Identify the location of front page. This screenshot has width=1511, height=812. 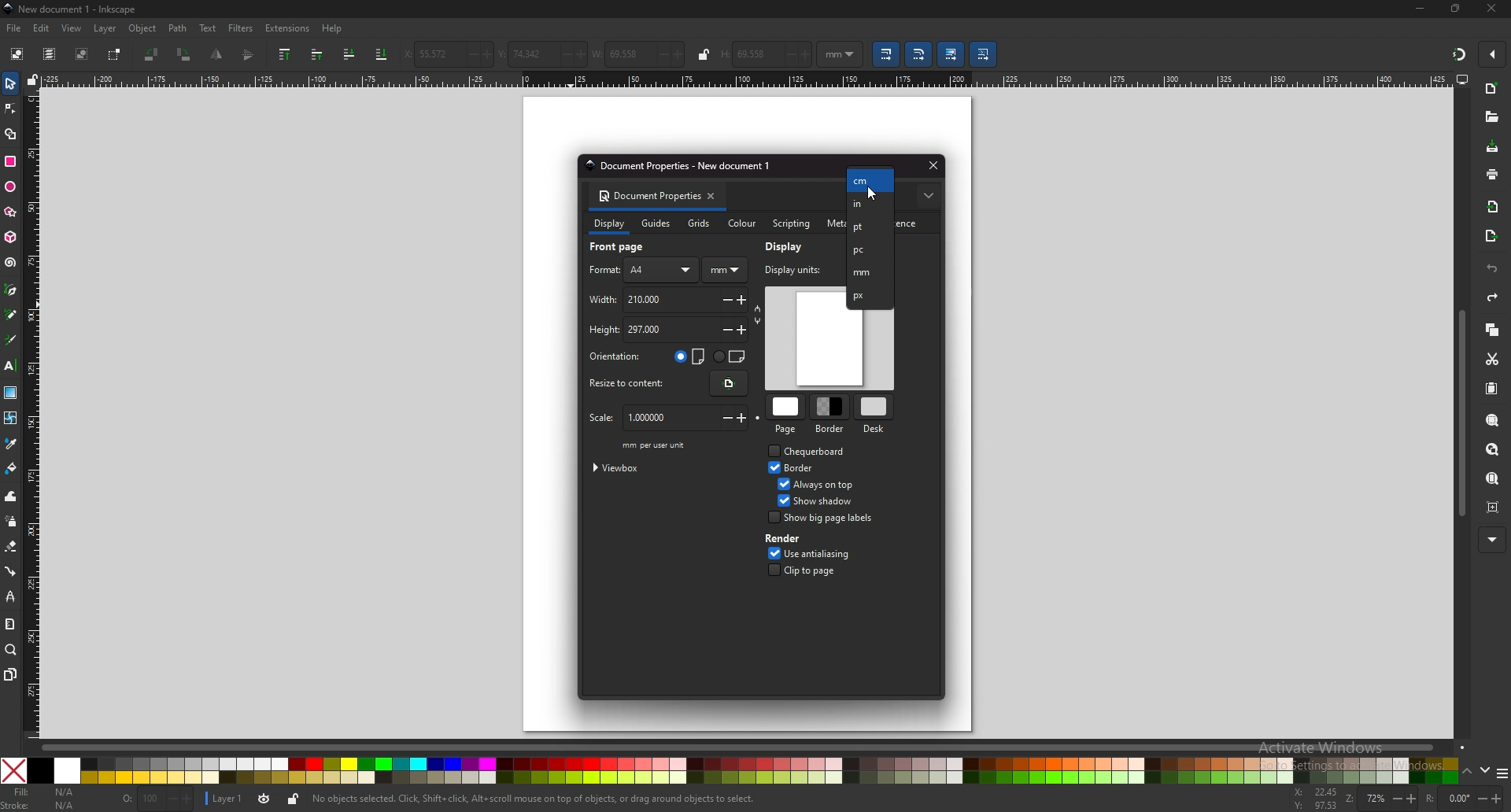
(626, 248).